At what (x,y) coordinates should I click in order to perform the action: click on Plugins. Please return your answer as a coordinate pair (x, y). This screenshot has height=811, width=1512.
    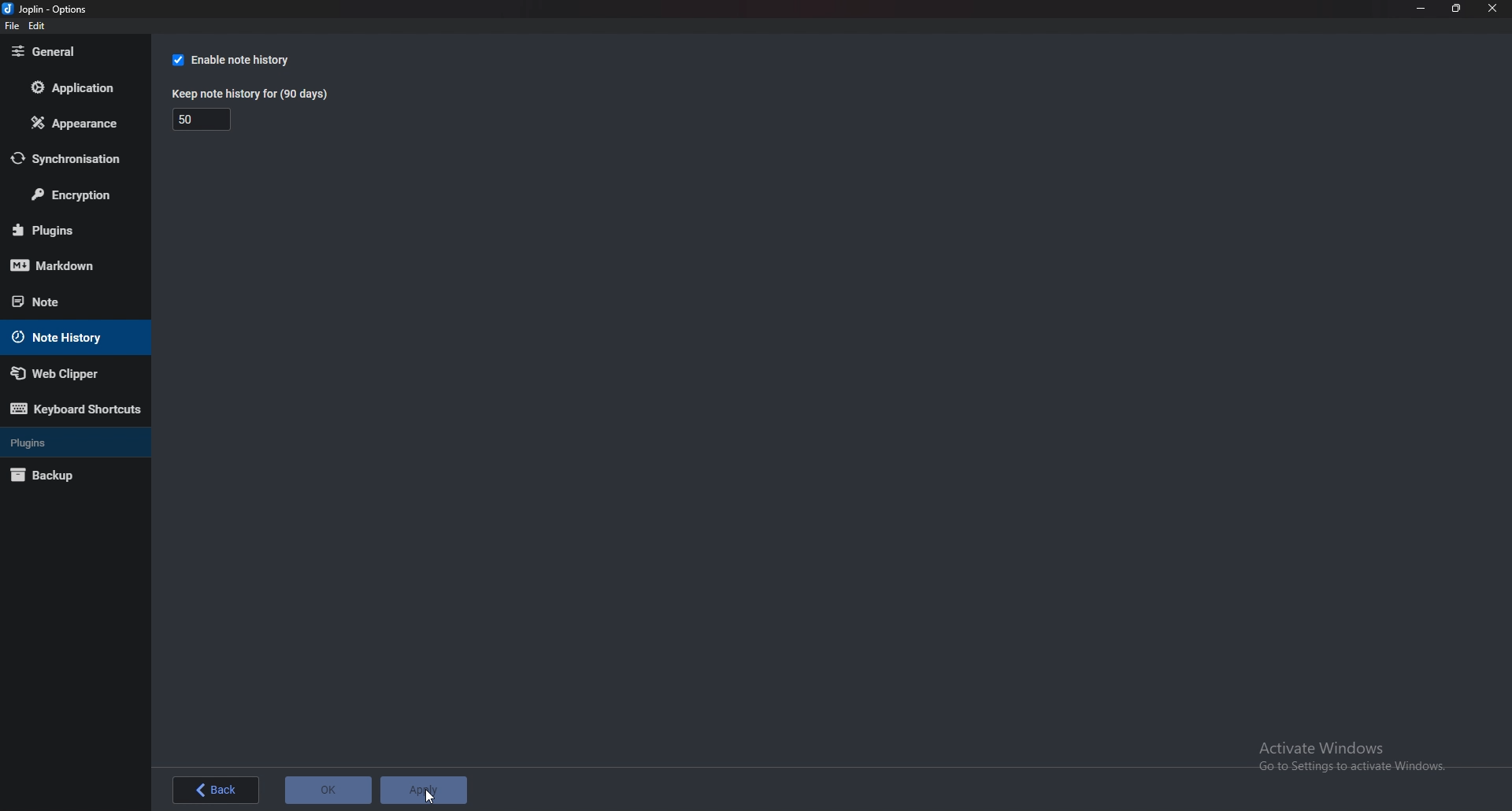
    Looking at the image, I should click on (70, 443).